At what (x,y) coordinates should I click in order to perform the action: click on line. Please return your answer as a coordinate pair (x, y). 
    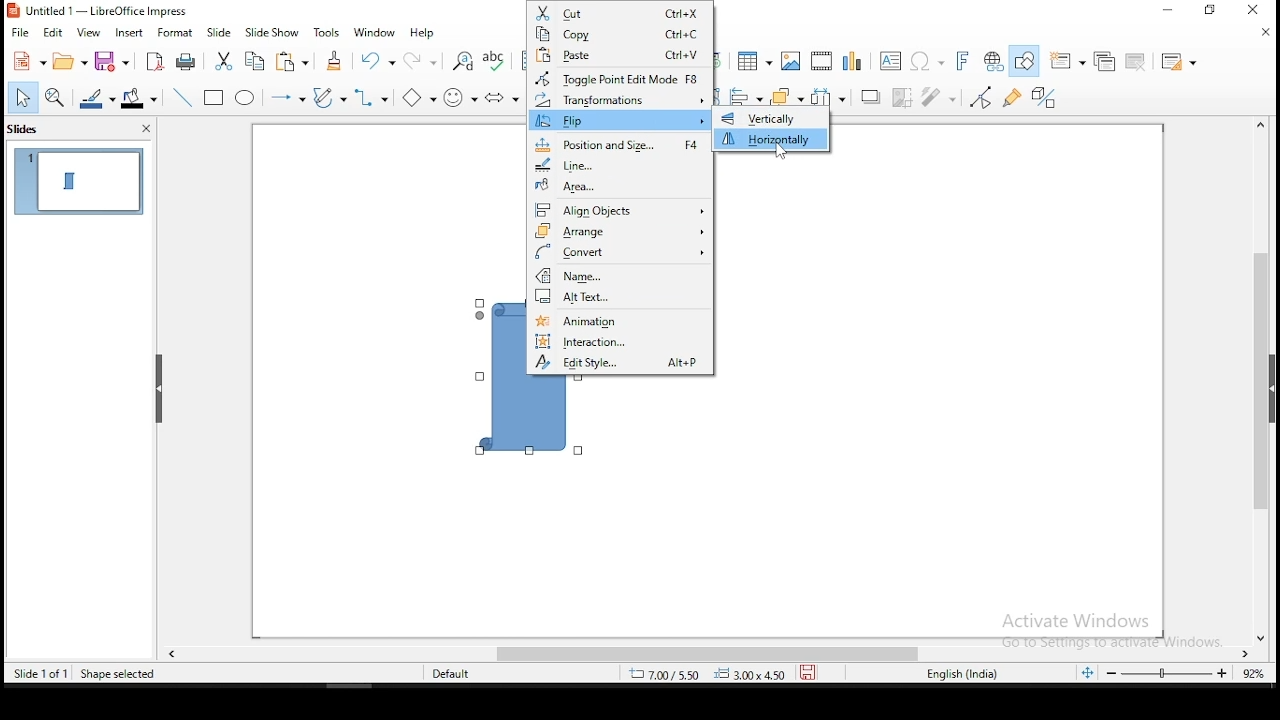
    Looking at the image, I should click on (181, 98).